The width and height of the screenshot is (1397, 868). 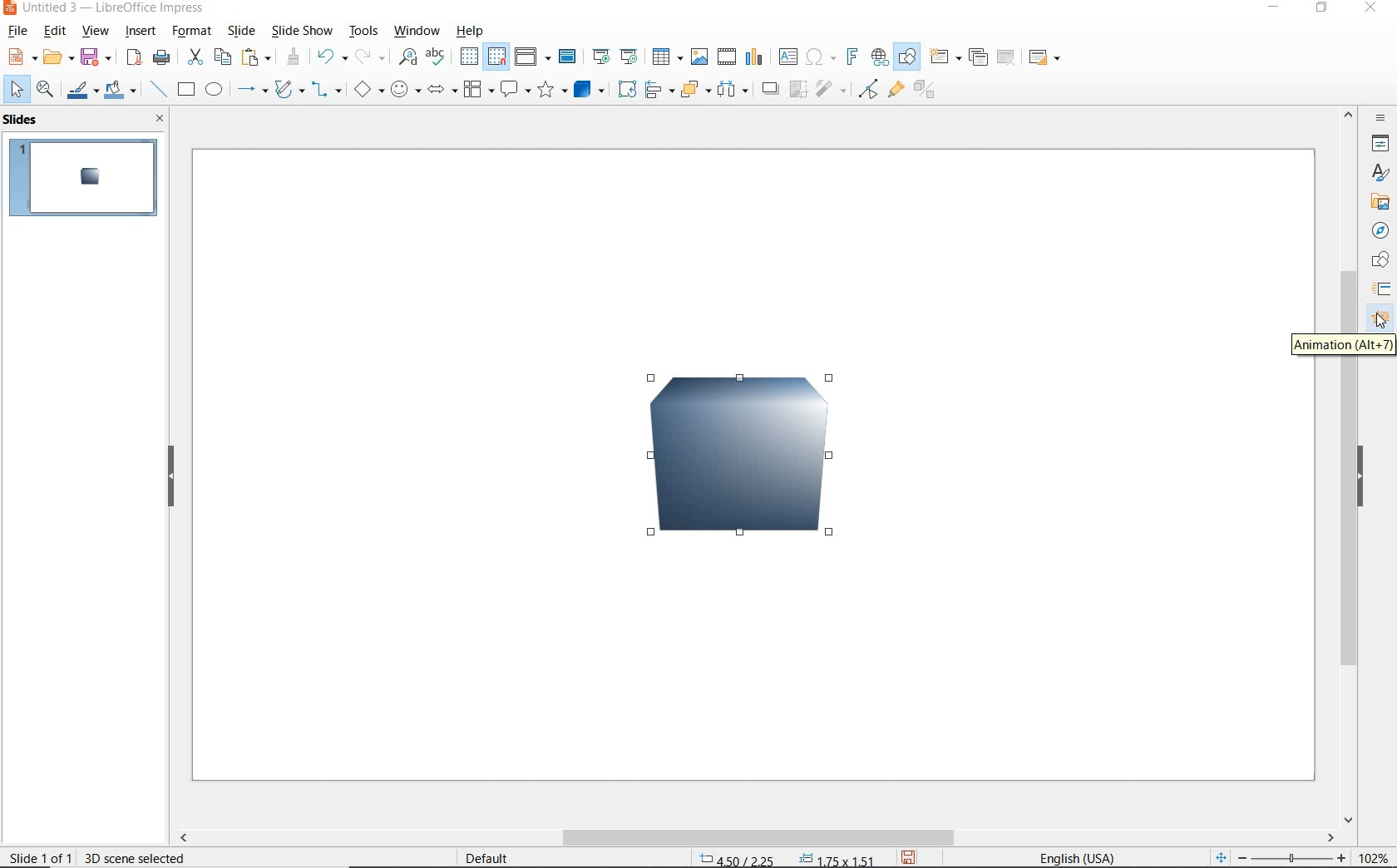 What do you see at coordinates (1381, 261) in the screenshot?
I see `SHAPES` at bounding box center [1381, 261].